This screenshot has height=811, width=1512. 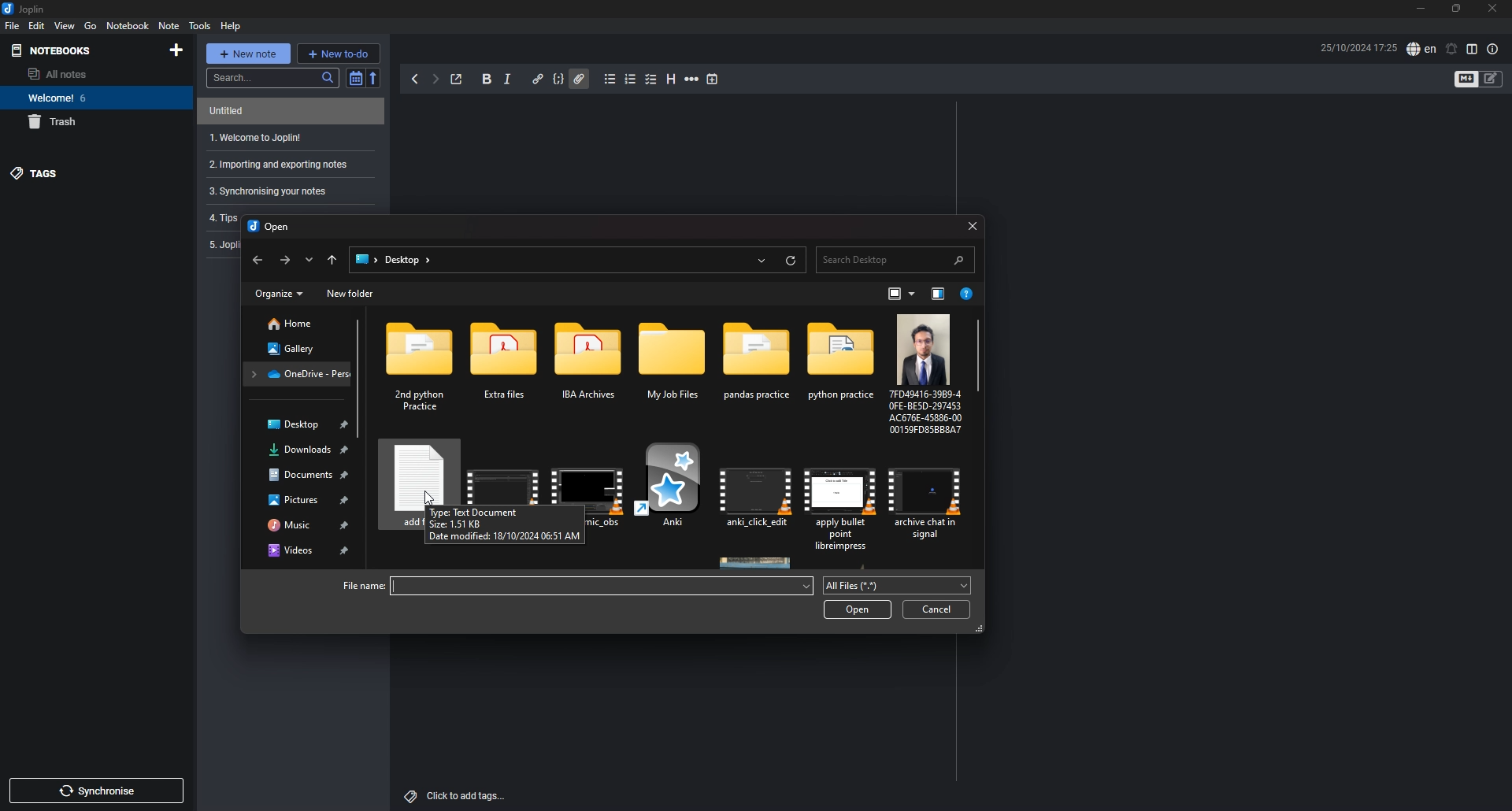 I want to click on file, so click(x=758, y=494).